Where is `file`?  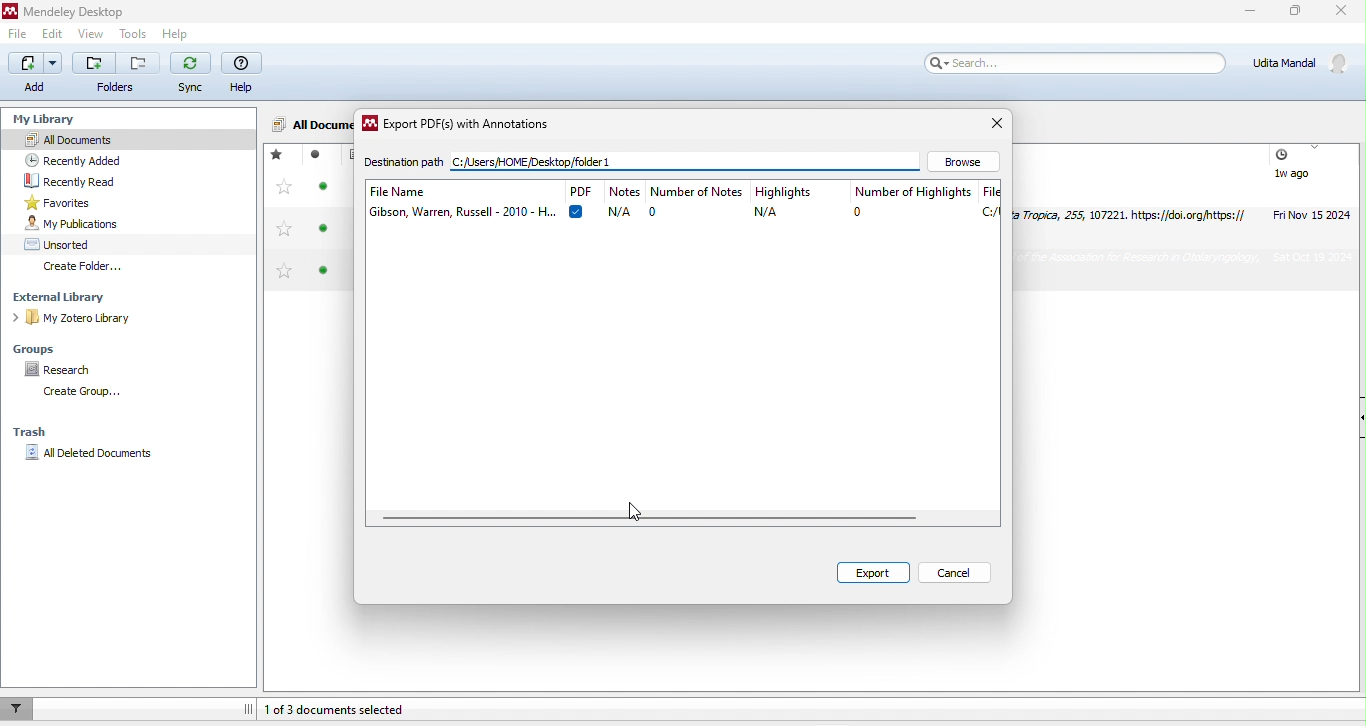
file is located at coordinates (990, 201).